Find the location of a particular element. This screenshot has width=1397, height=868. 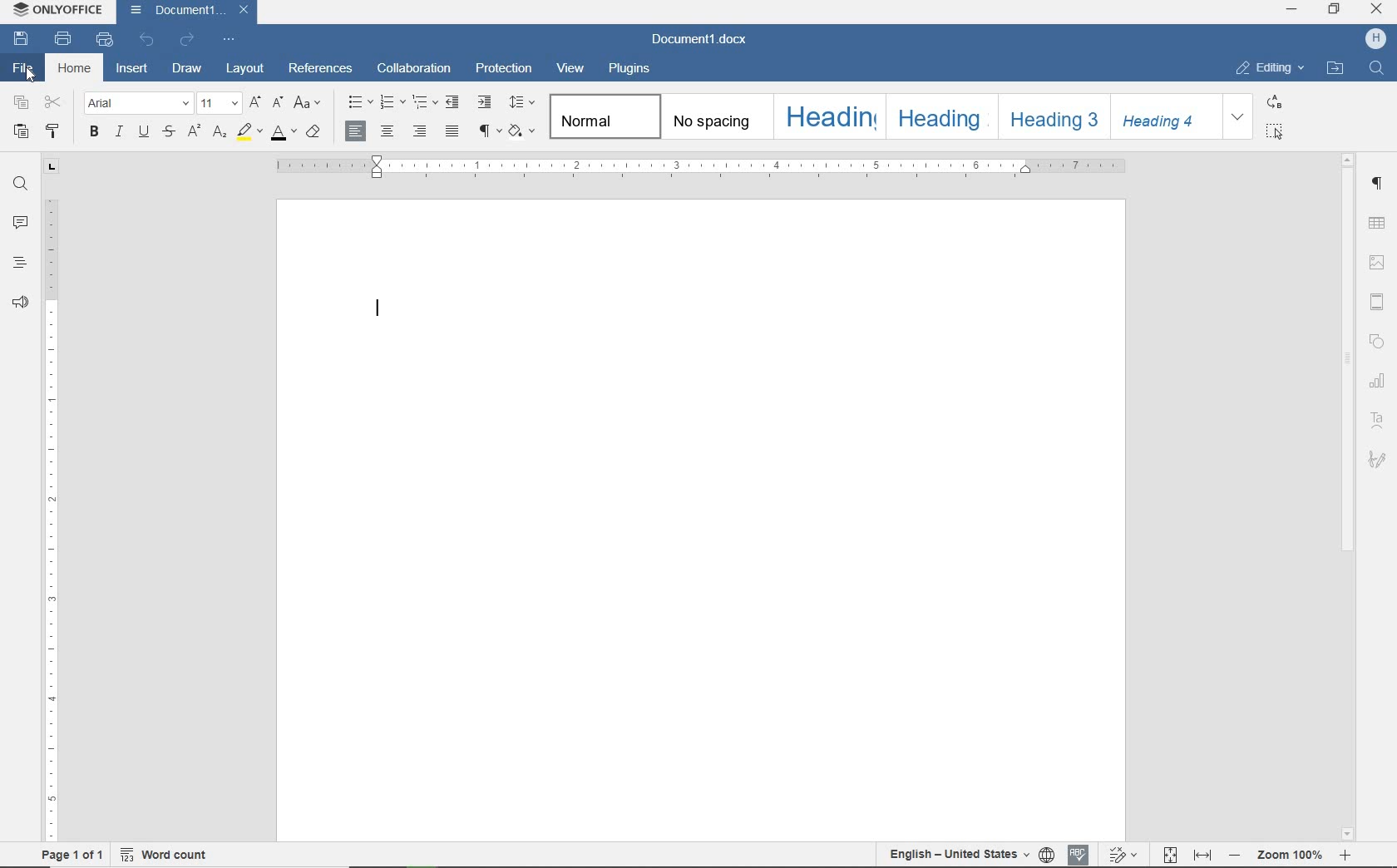

header & footer is located at coordinates (1377, 302).